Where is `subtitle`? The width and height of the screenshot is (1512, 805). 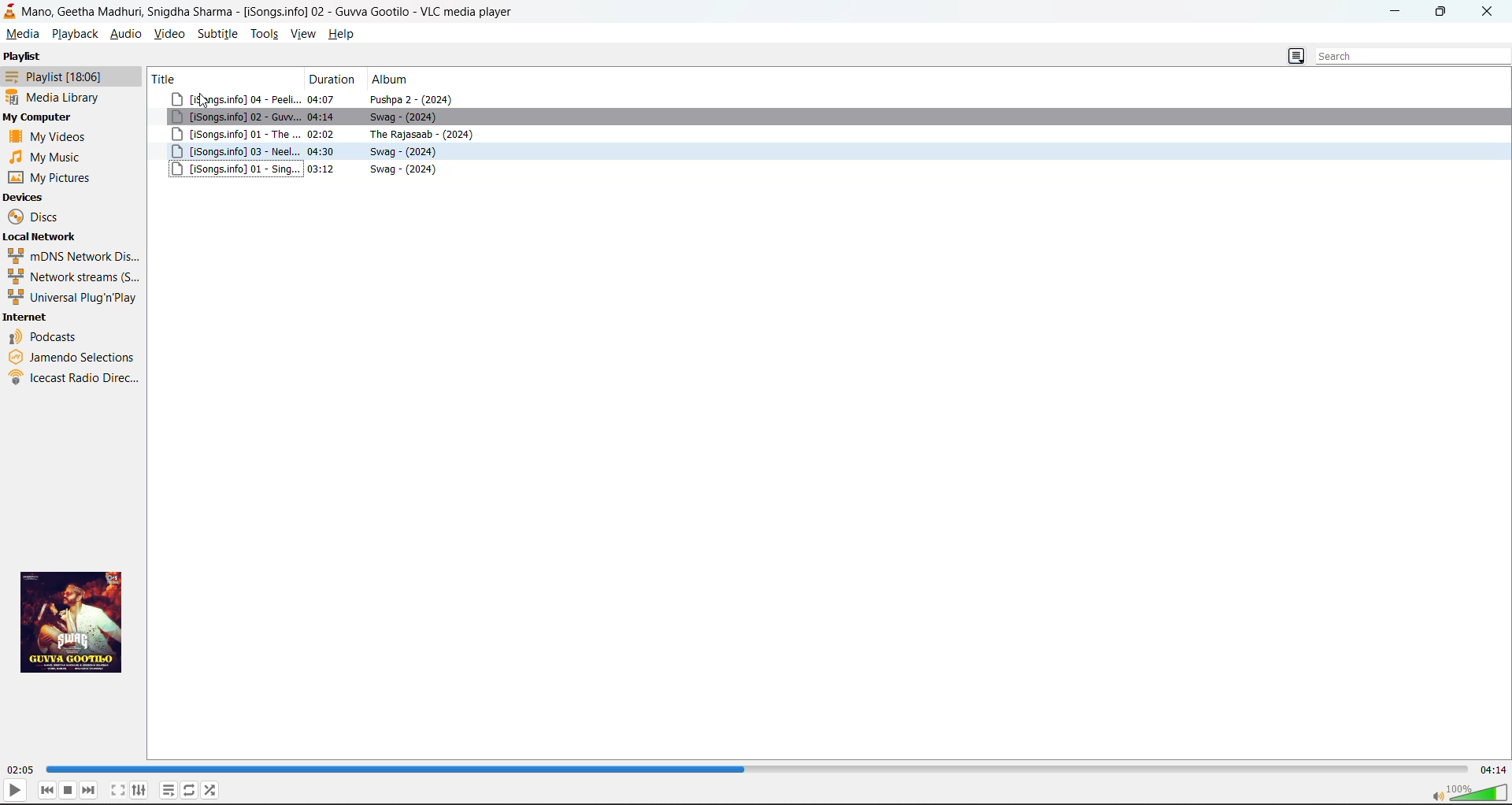
subtitle is located at coordinates (216, 33).